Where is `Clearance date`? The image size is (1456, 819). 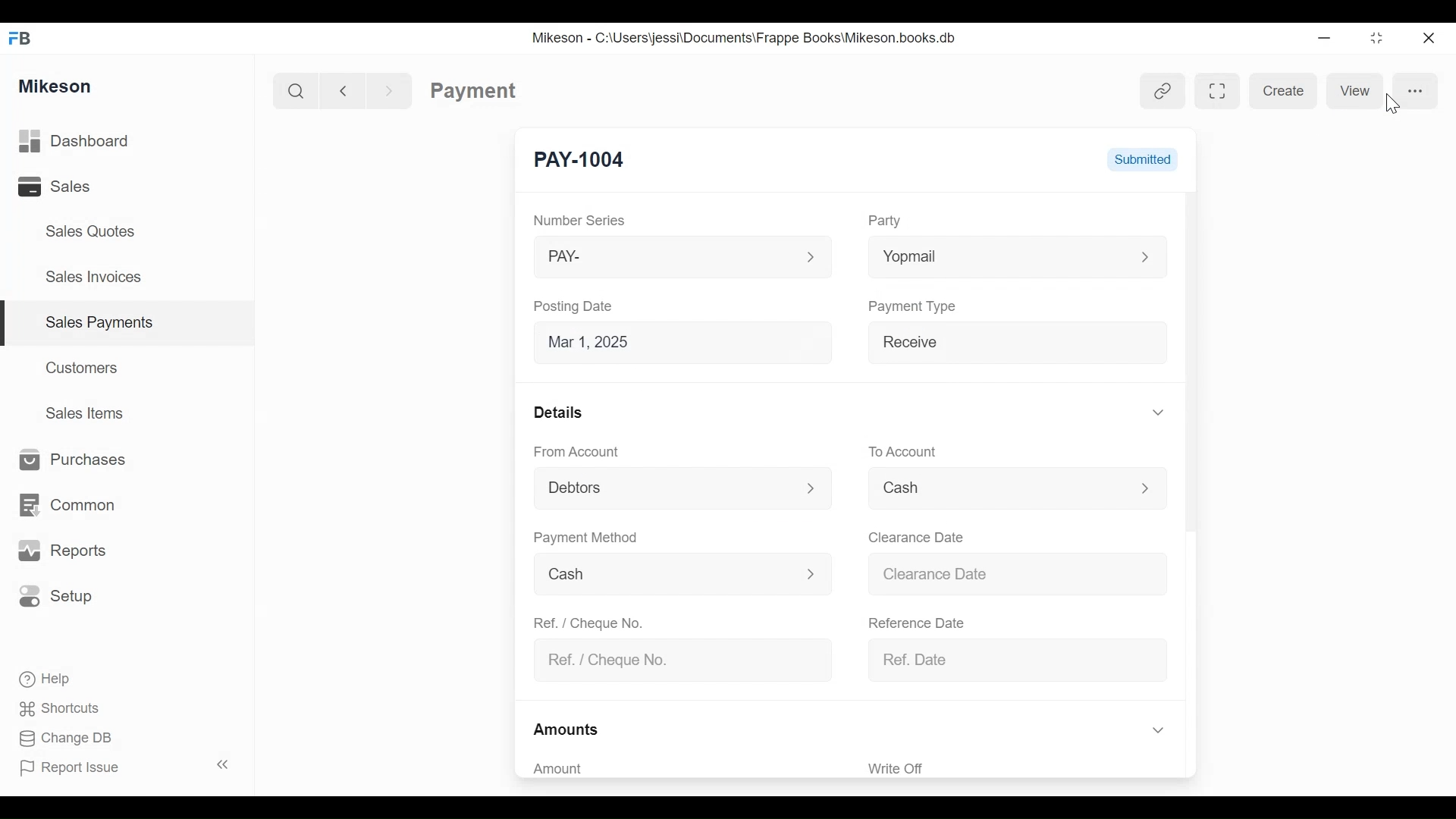
Clearance date is located at coordinates (921, 536).